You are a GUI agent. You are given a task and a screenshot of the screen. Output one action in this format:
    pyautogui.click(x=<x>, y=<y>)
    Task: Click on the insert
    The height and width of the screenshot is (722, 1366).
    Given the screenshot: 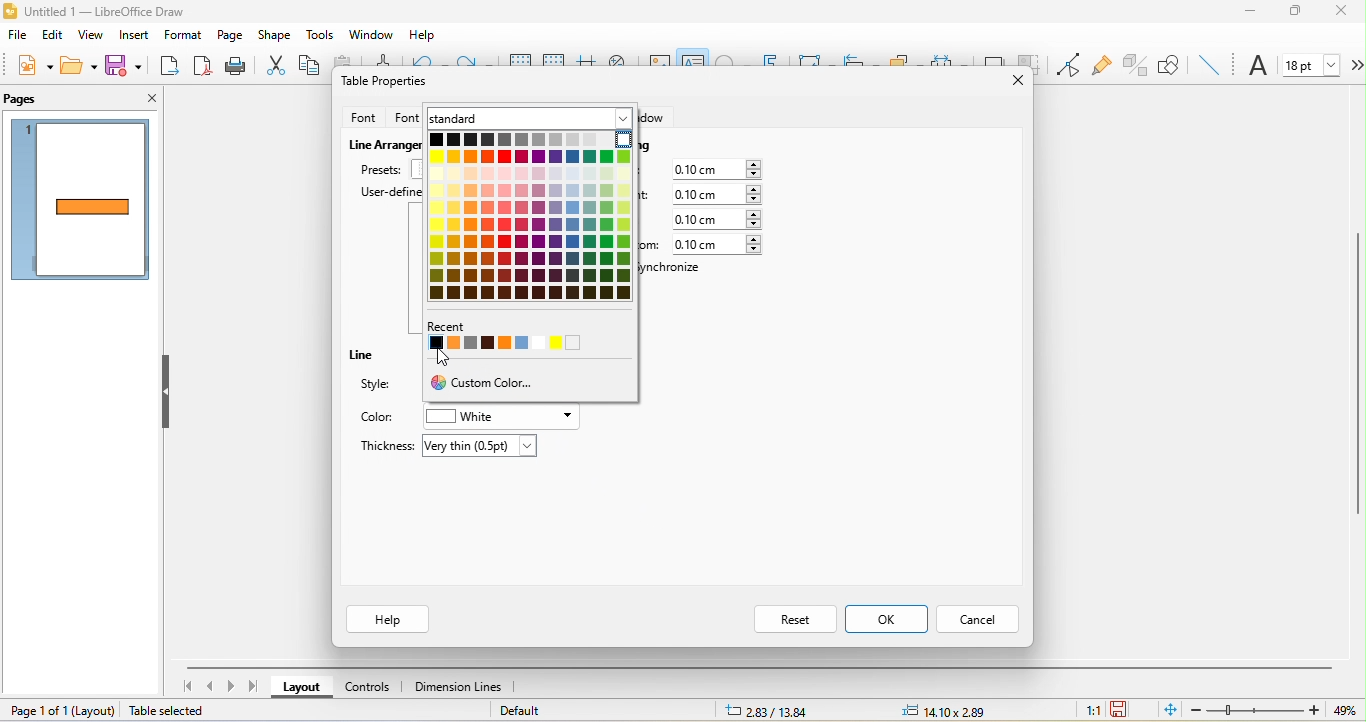 What is the action you would take?
    pyautogui.click(x=133, y=37)
    